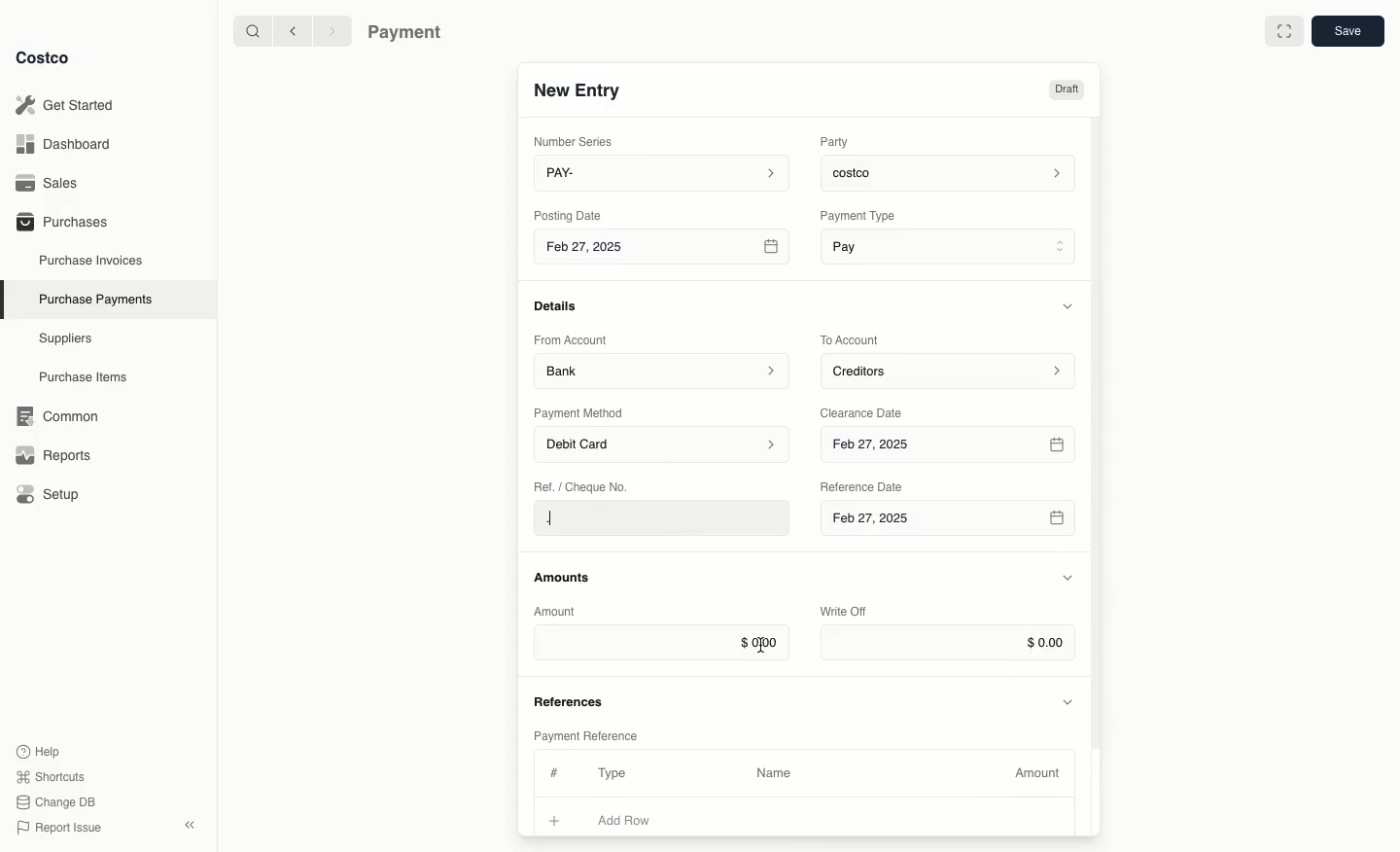 Image resolution: width=1400 pixels, height=852 pixels. I want to click on Change DB, so click(59, 802).